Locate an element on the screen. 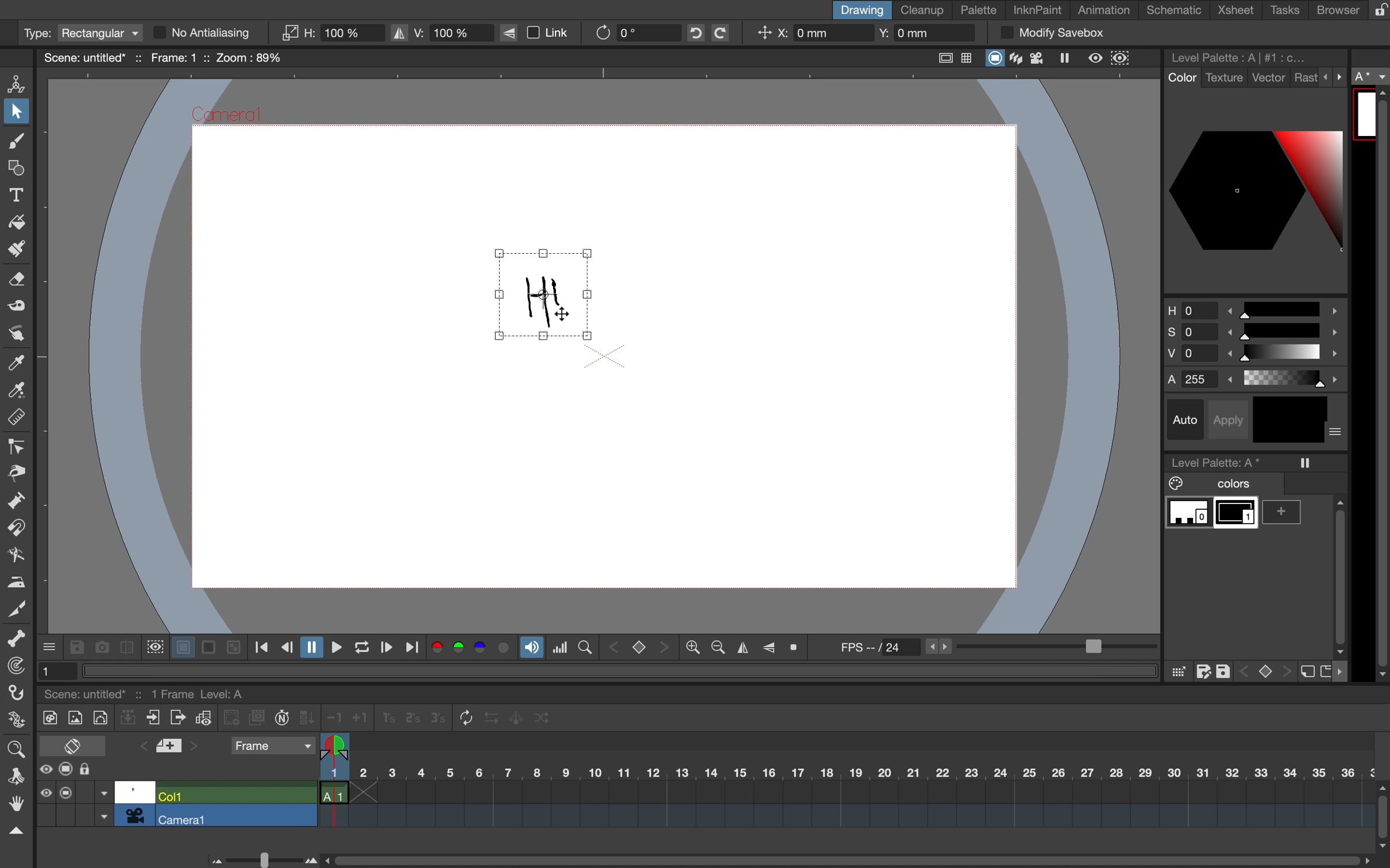 The height and width of the screenshot is (868, 1390). zoom tool is located at coordinates (15, 747).